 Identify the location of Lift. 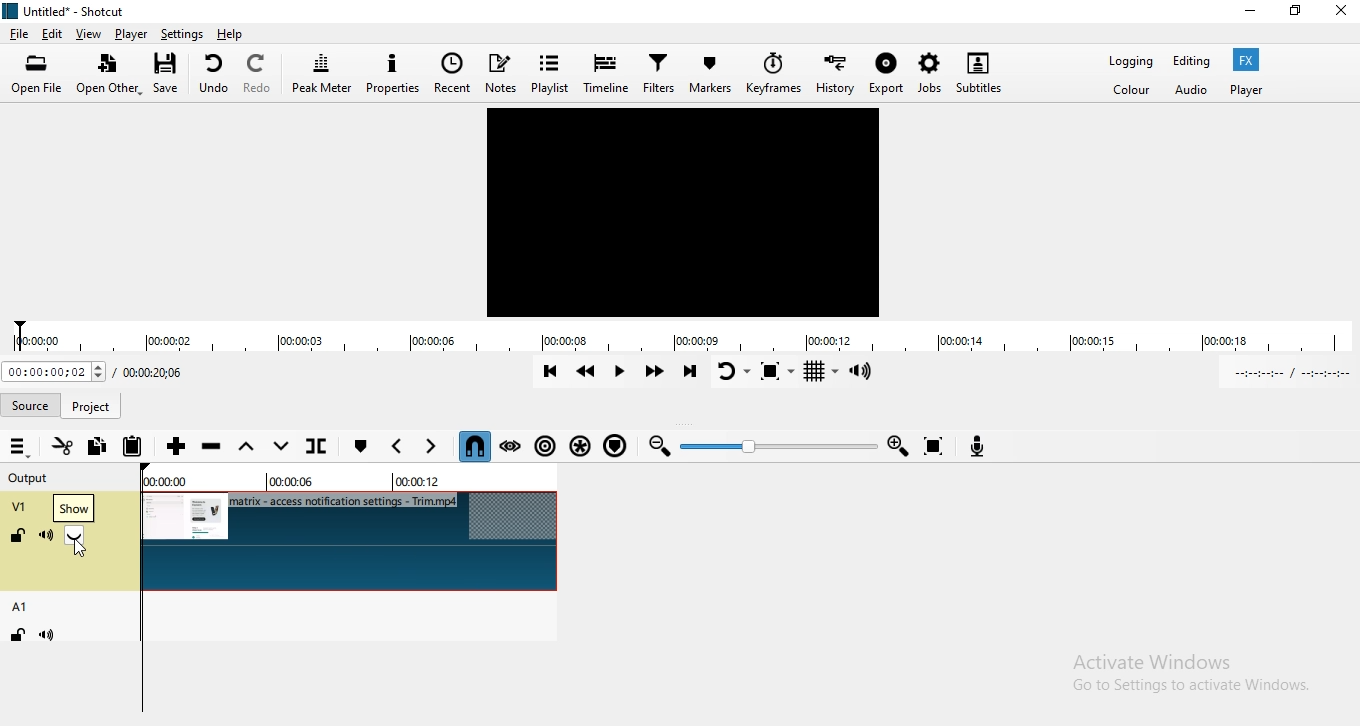
(249, 448).